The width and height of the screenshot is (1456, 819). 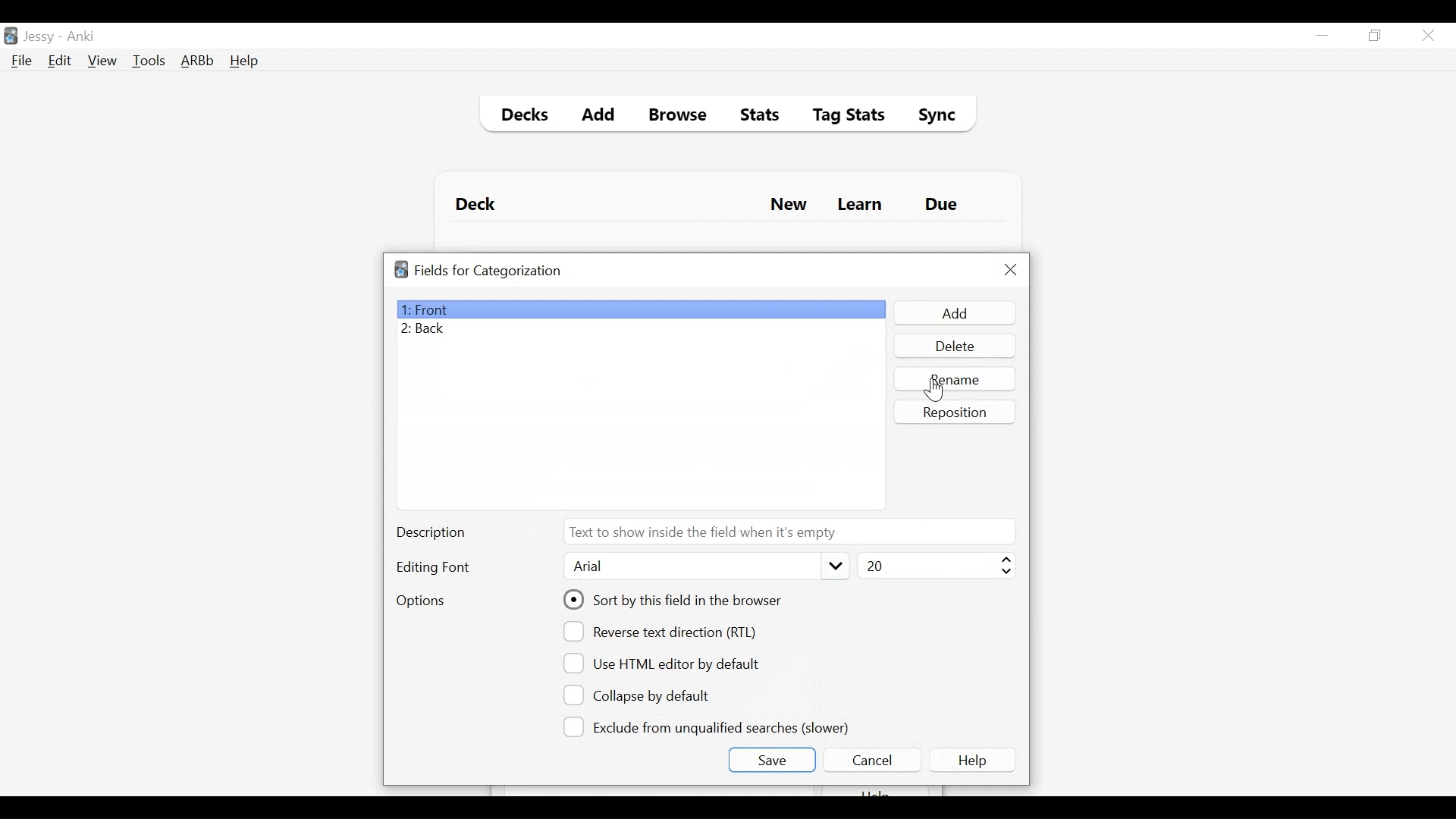 I want to click on Editing Font, so click(x=435, y=567).